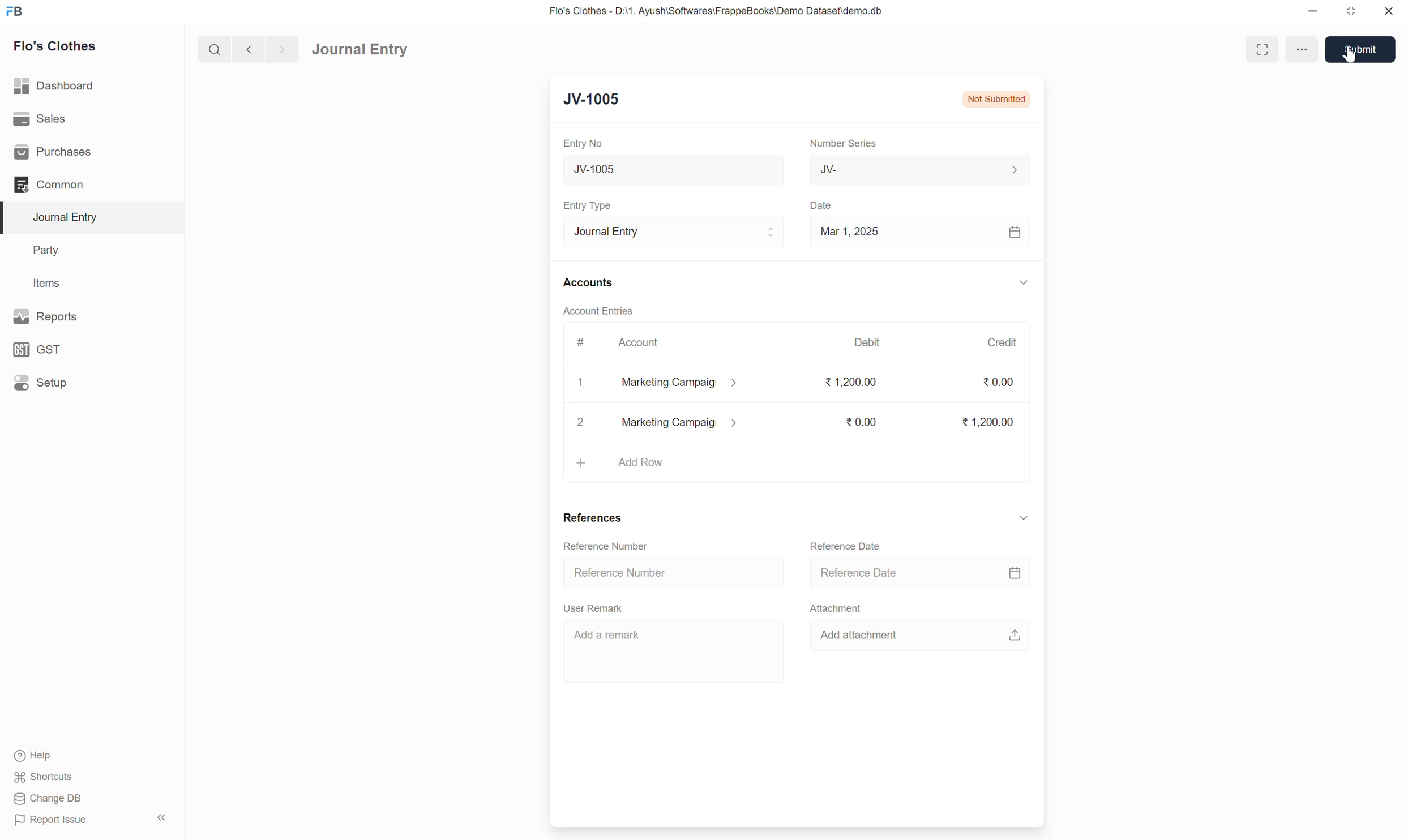  I want to click on +, so click(581, 462).